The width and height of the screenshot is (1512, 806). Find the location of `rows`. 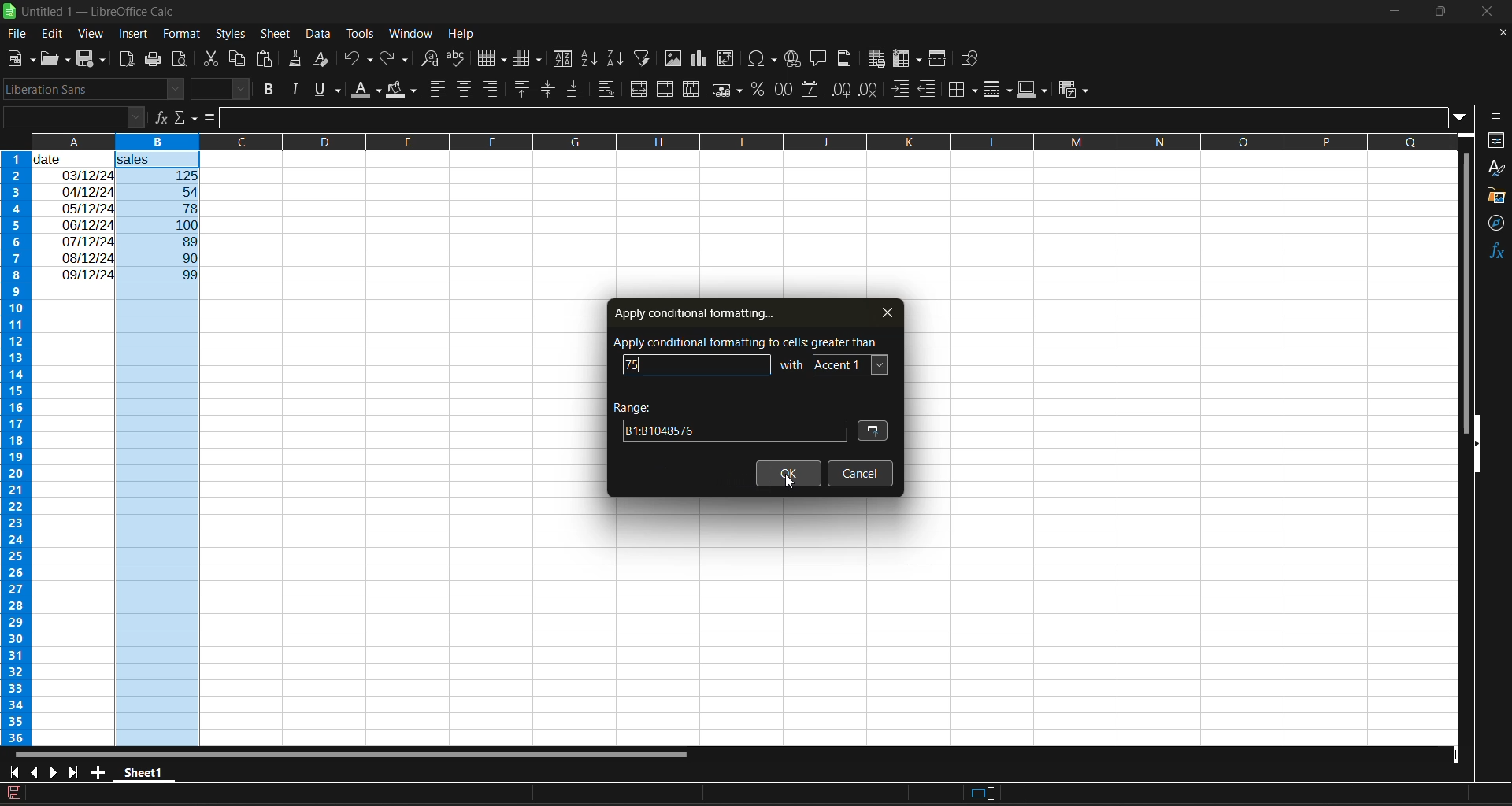

rows is located at coordinates (723, 141).